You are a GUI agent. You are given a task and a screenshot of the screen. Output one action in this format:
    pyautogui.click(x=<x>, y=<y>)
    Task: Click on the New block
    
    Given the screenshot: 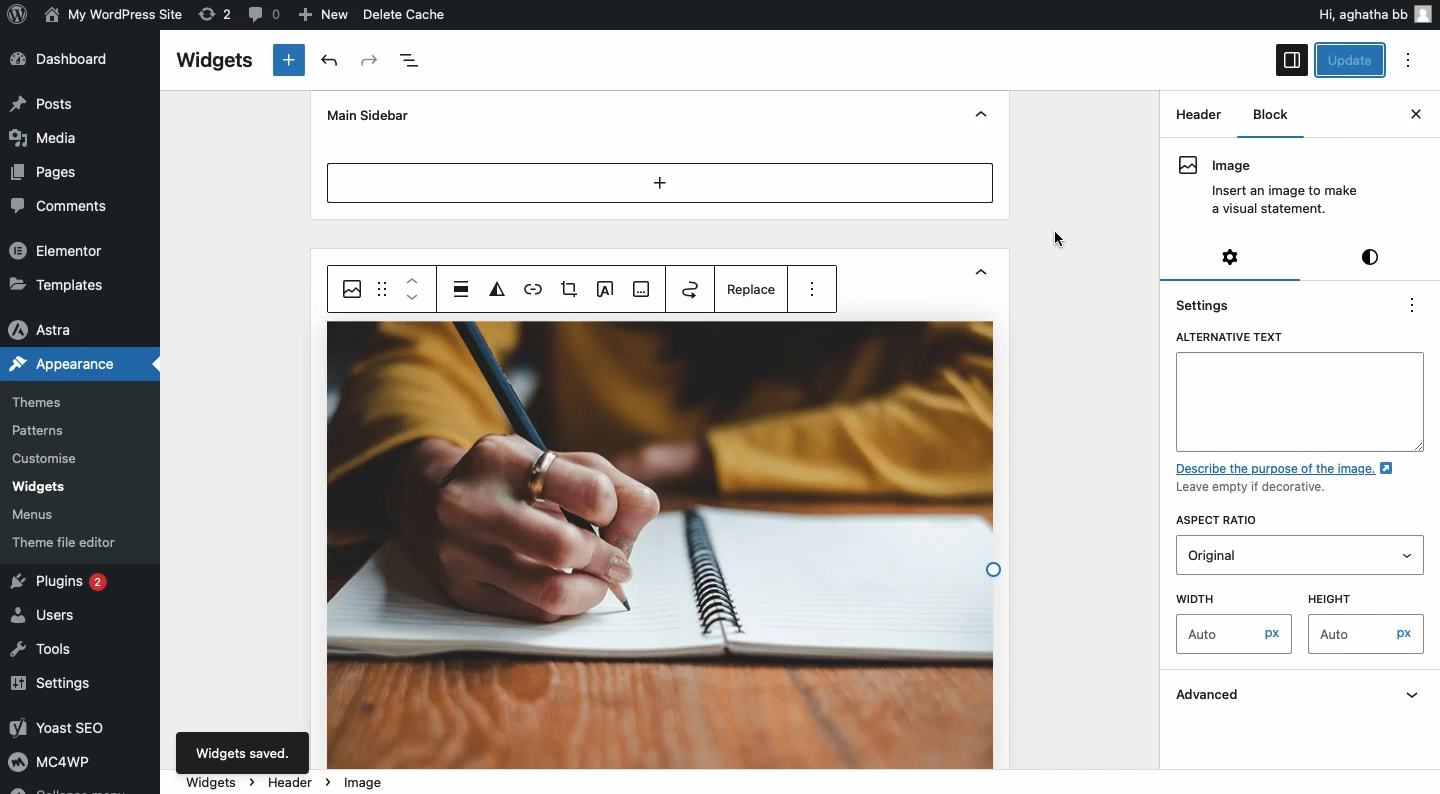 What is the action you would take?
    pyautogui.click(x=290, y=60)
    